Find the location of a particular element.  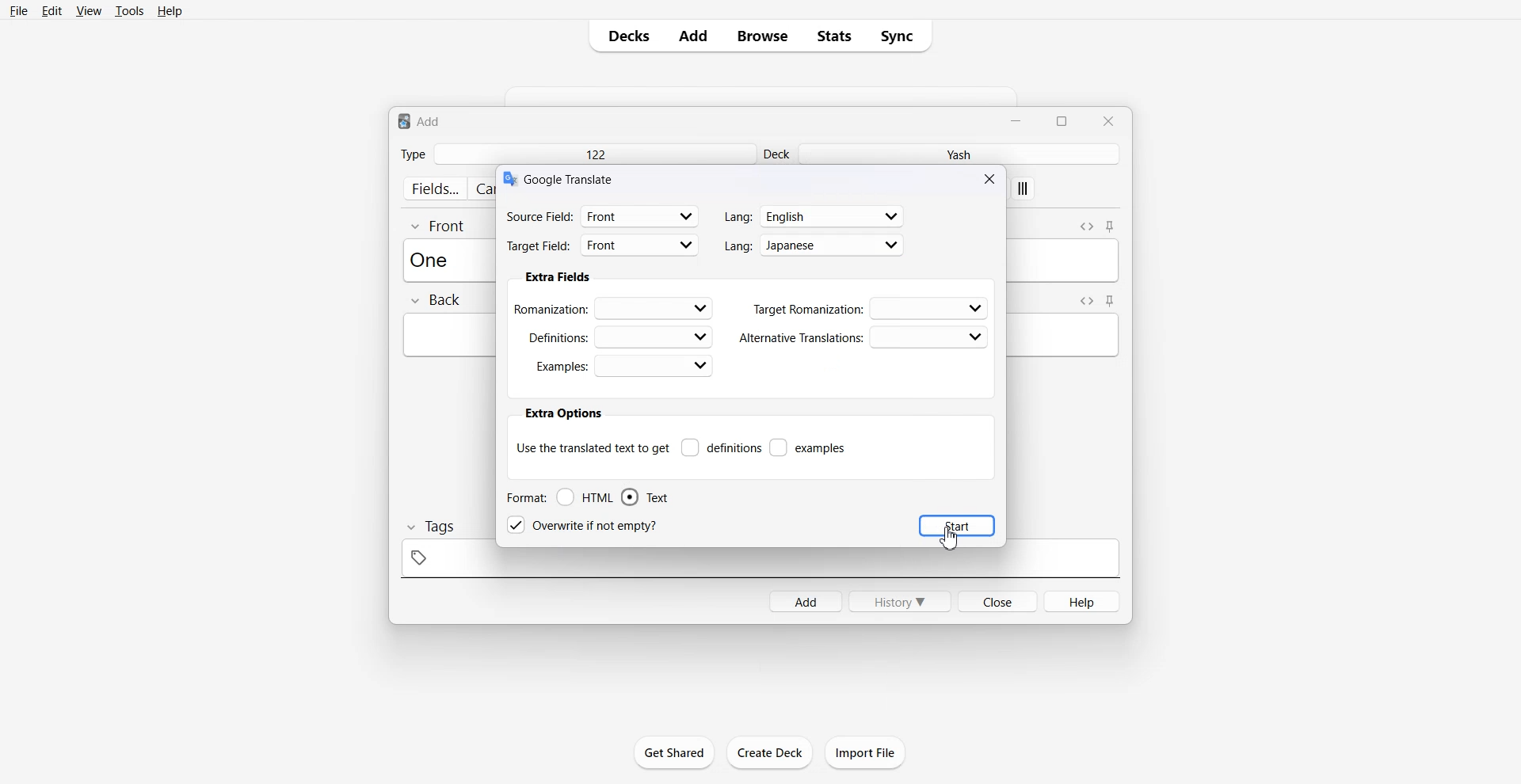

Decks is located at coordinates (623, 36).